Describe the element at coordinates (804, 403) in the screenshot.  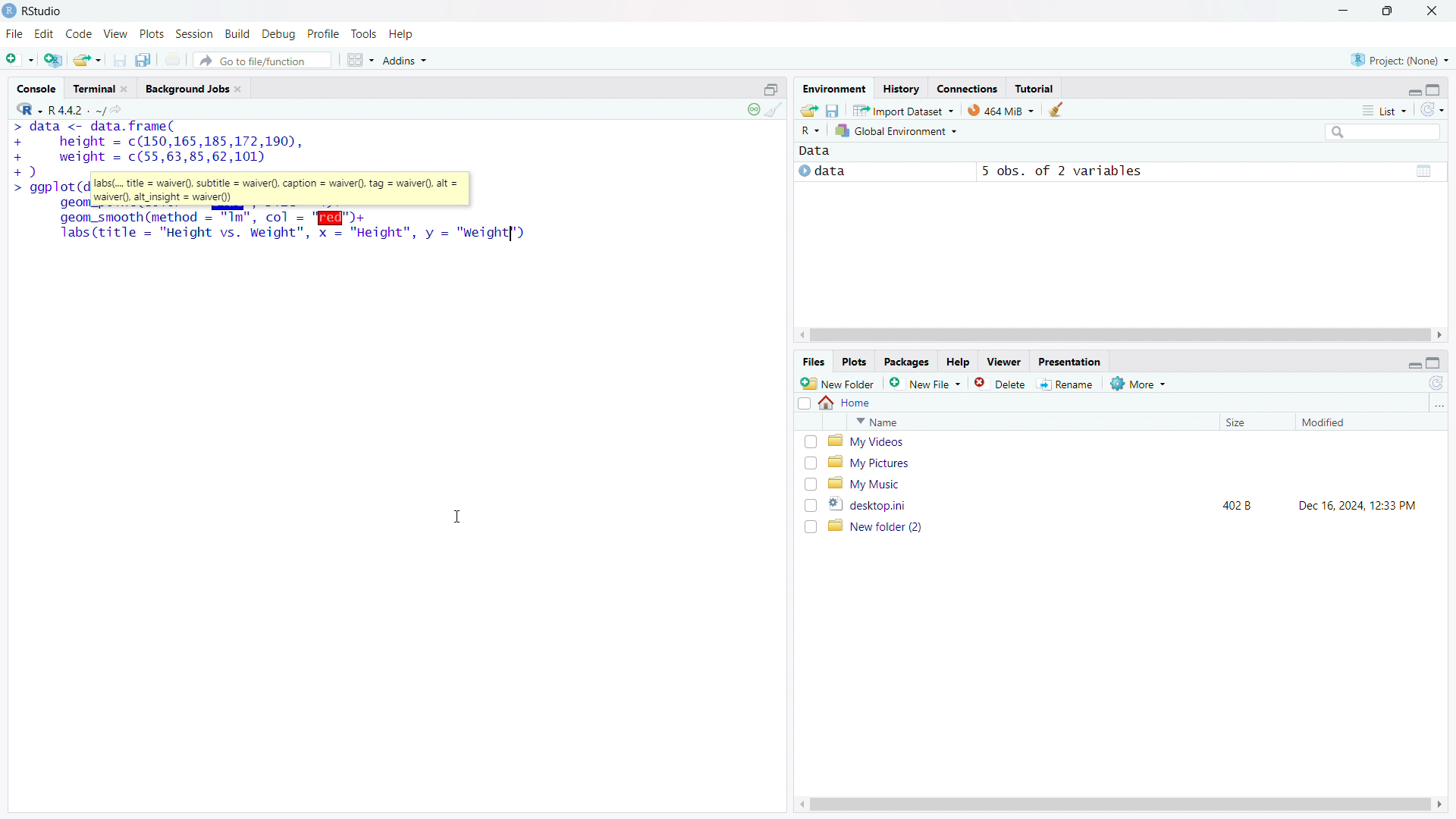
I see `select entry` at that location.